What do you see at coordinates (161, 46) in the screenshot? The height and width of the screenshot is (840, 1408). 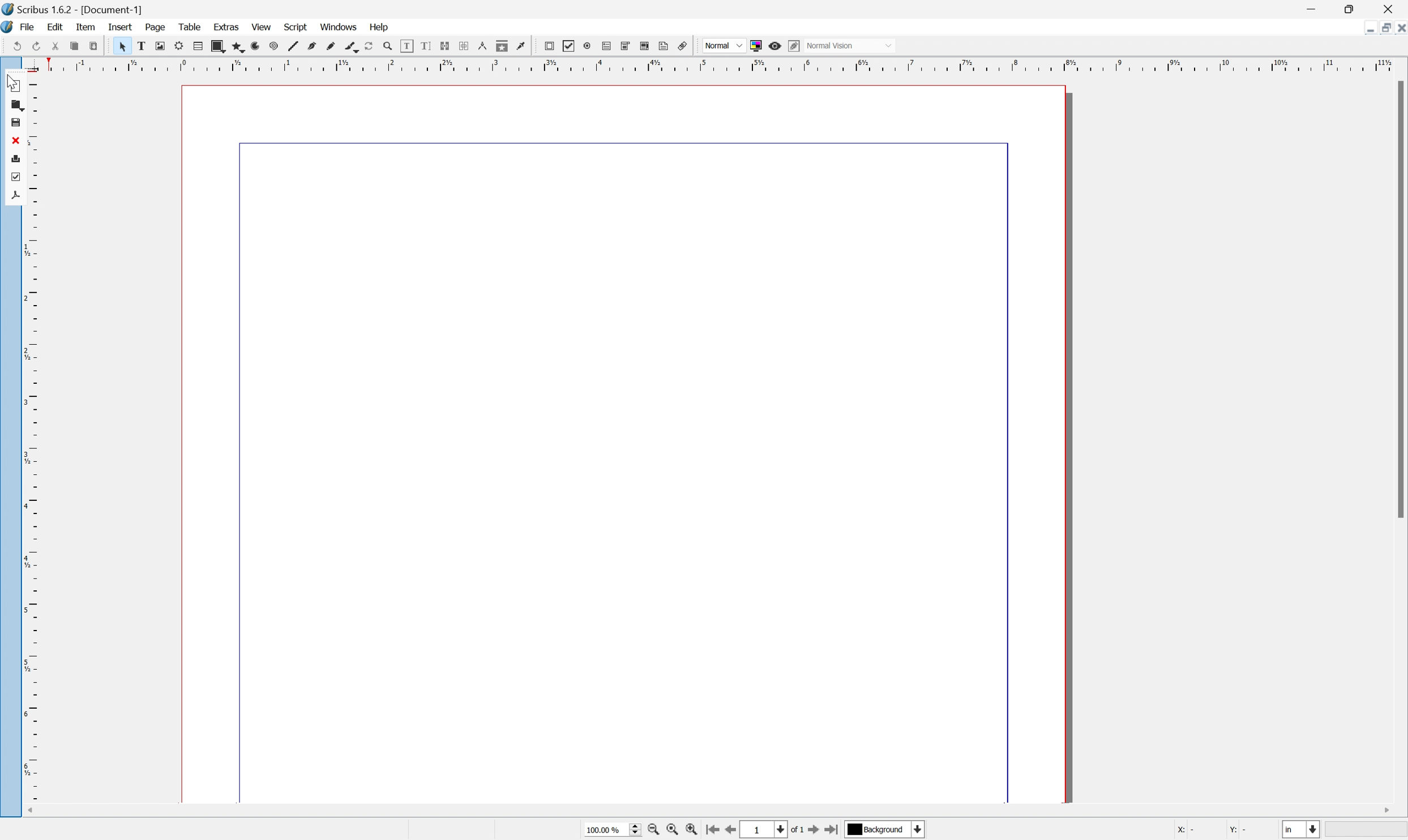 I see `undo` at bounding box center [161, 46].